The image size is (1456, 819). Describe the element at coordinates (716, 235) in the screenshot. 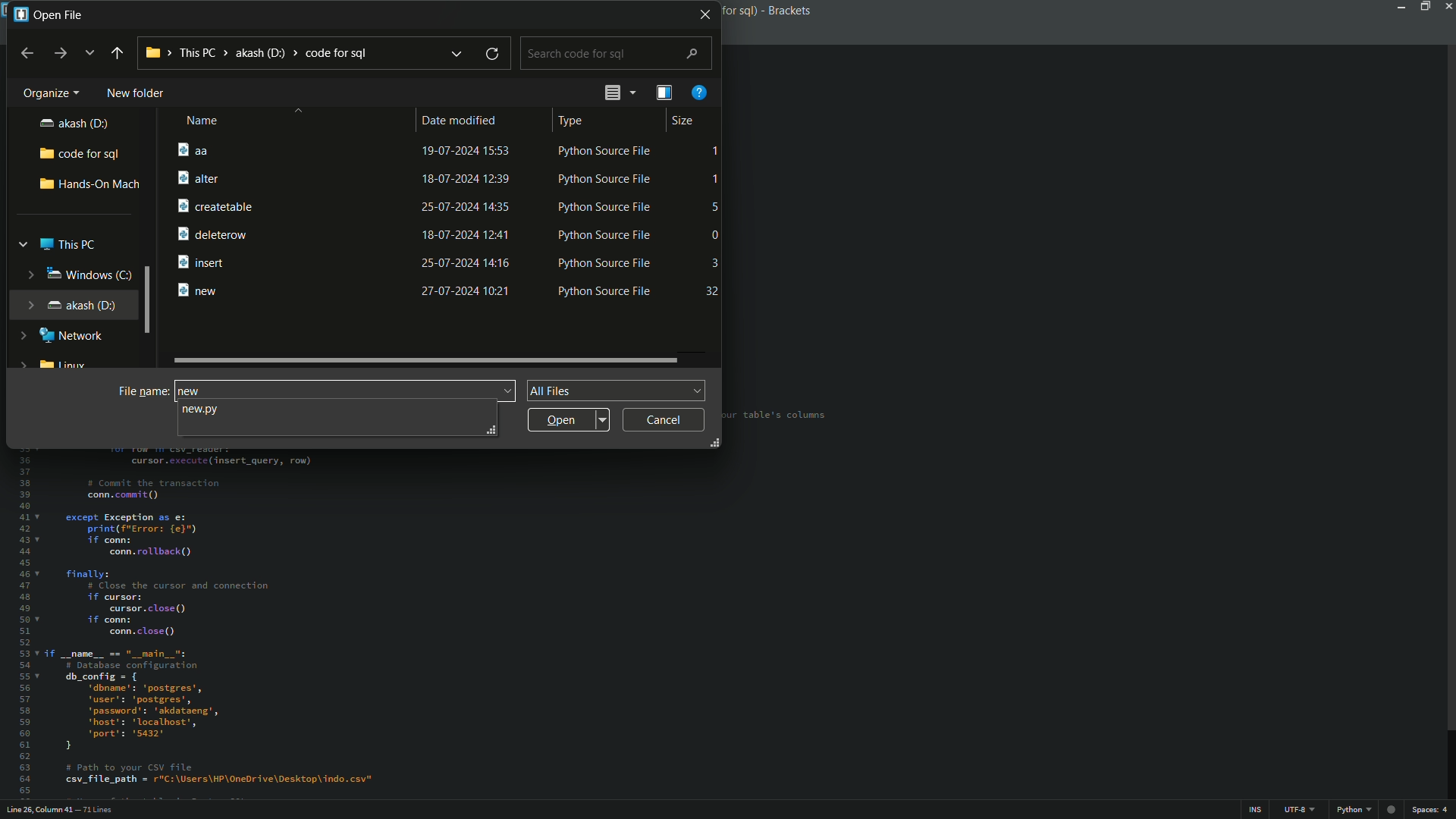

I see `0` at that location.